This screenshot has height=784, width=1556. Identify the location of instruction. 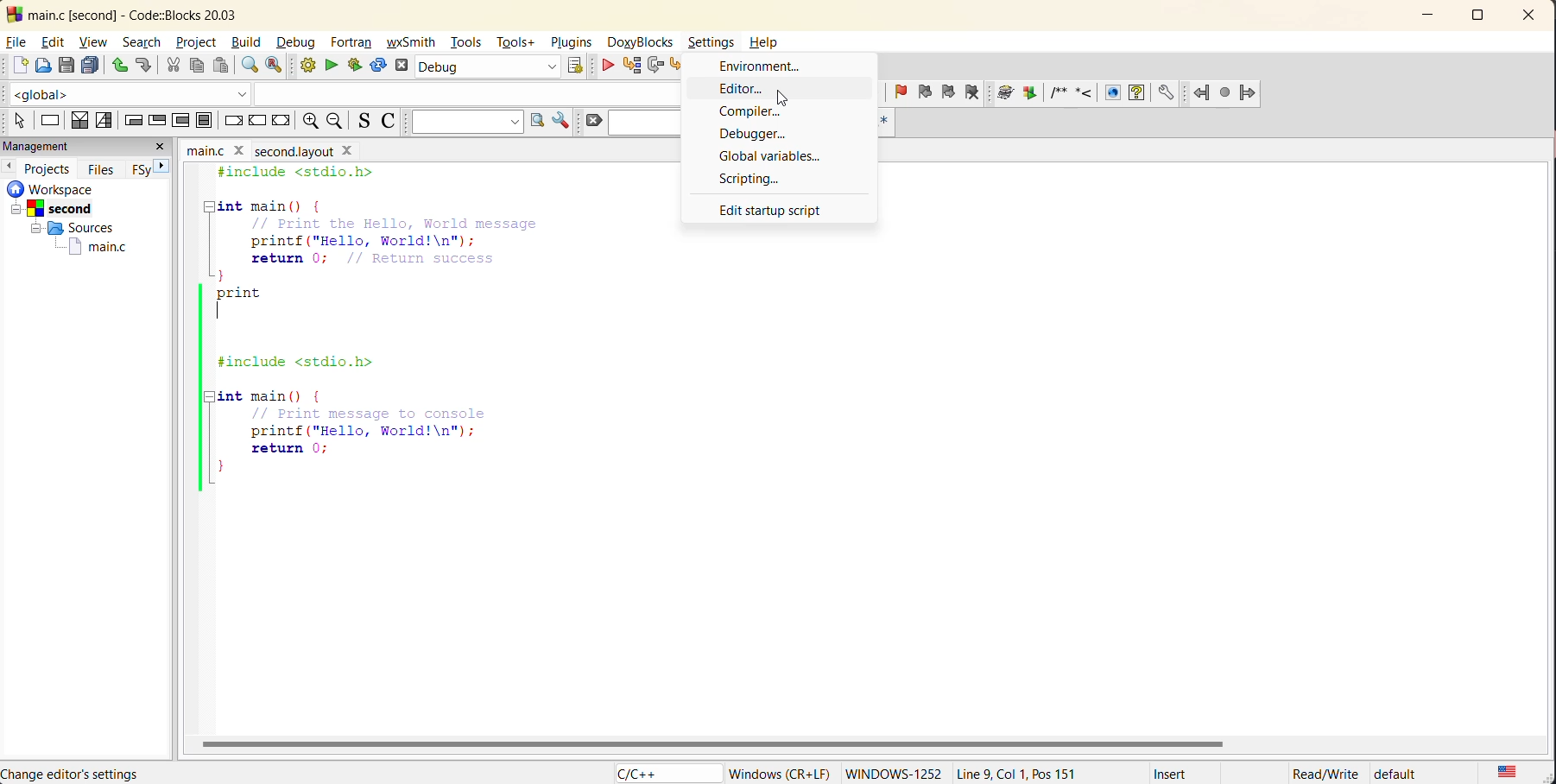
(51, 120).